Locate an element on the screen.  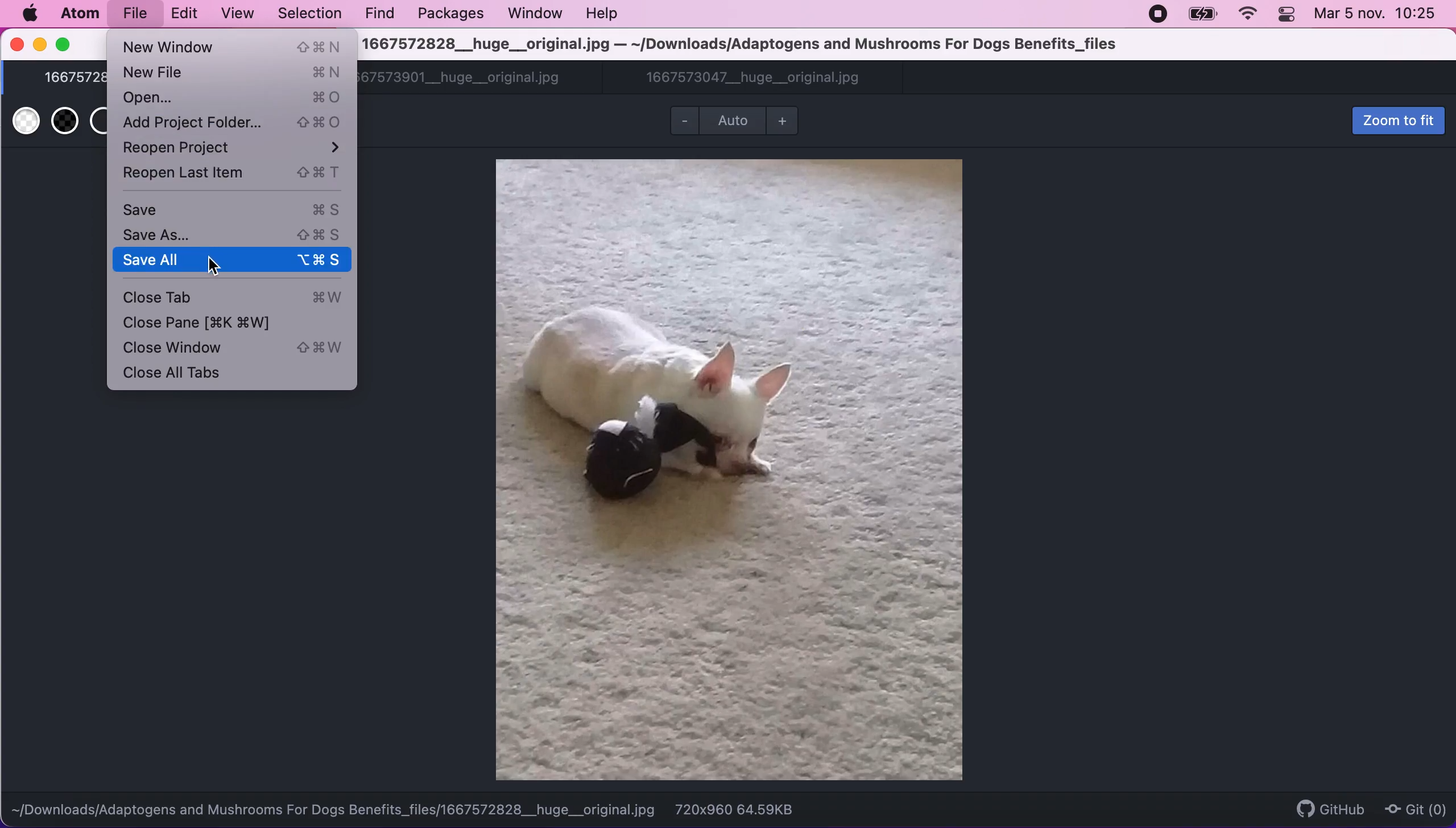
save is located at coordinates (235, 210).